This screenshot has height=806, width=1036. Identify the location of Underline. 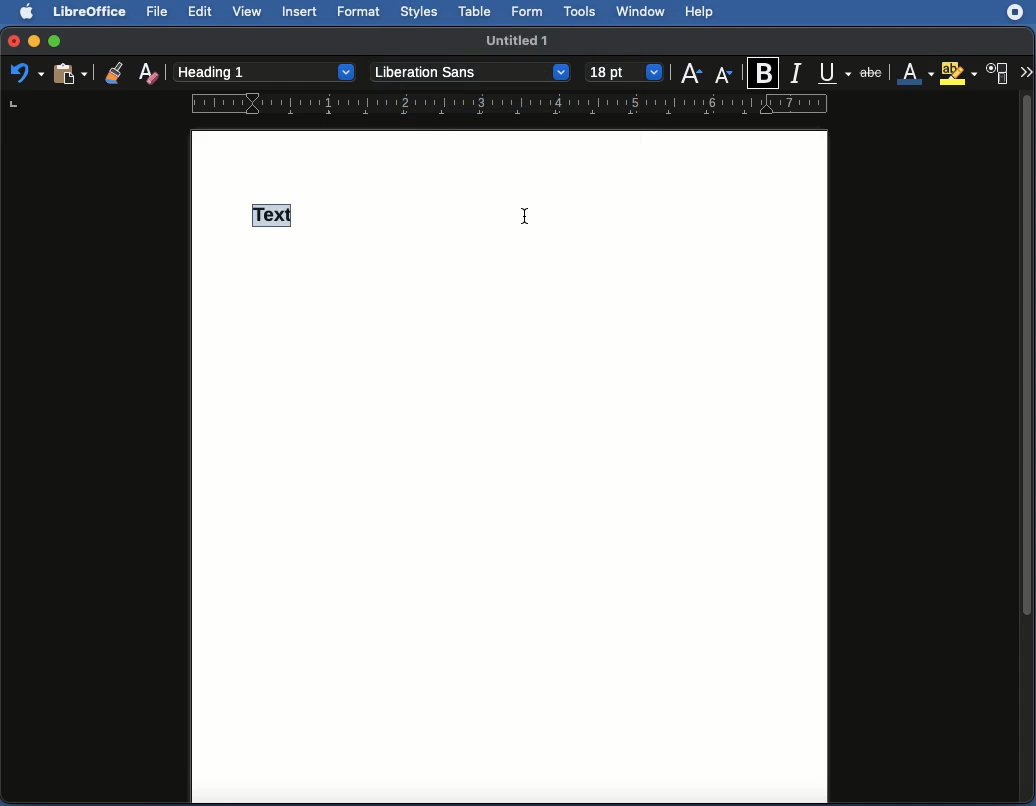
(836, 73).